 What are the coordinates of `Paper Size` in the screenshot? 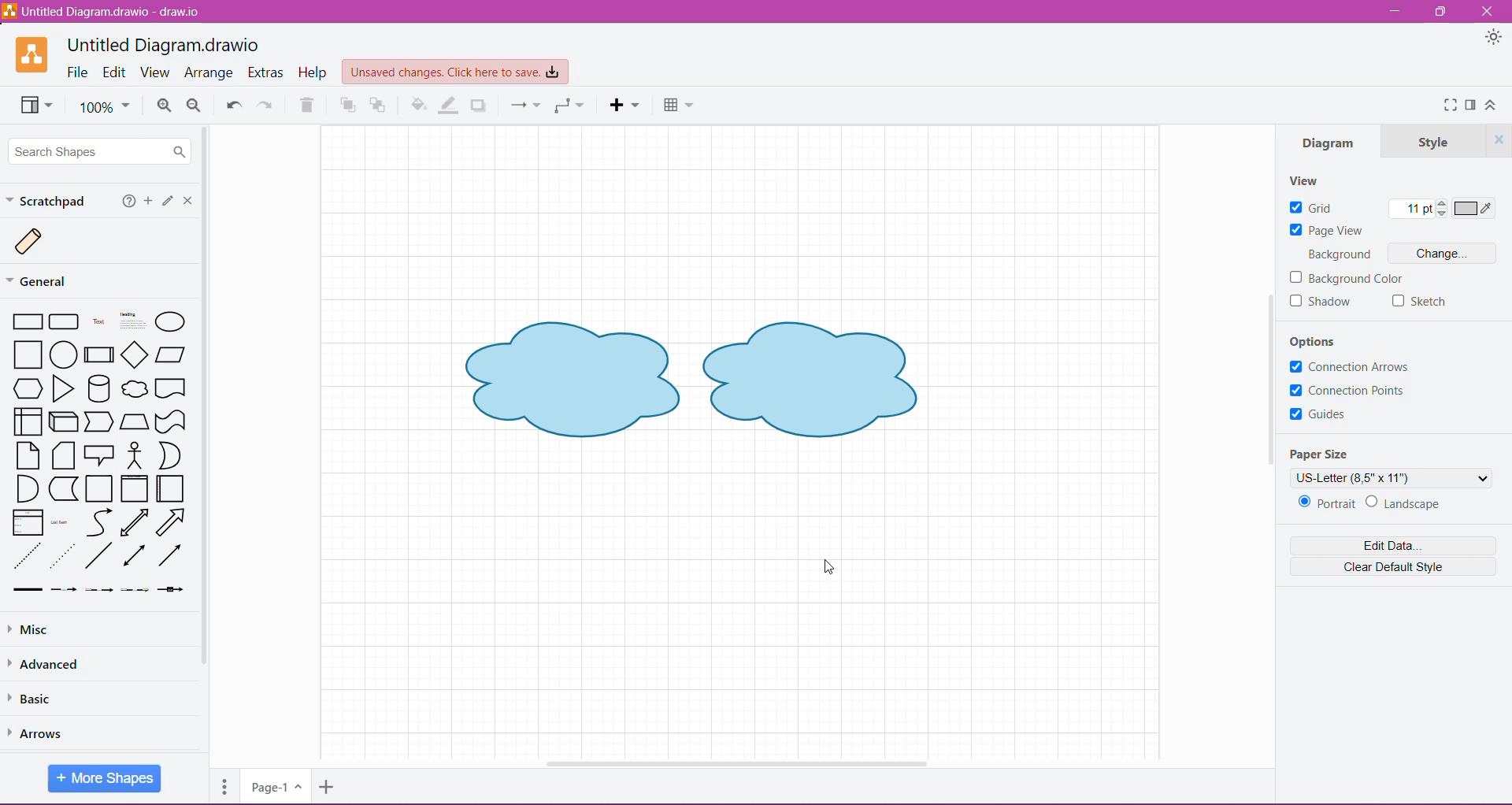 It's located at (1330, 452).